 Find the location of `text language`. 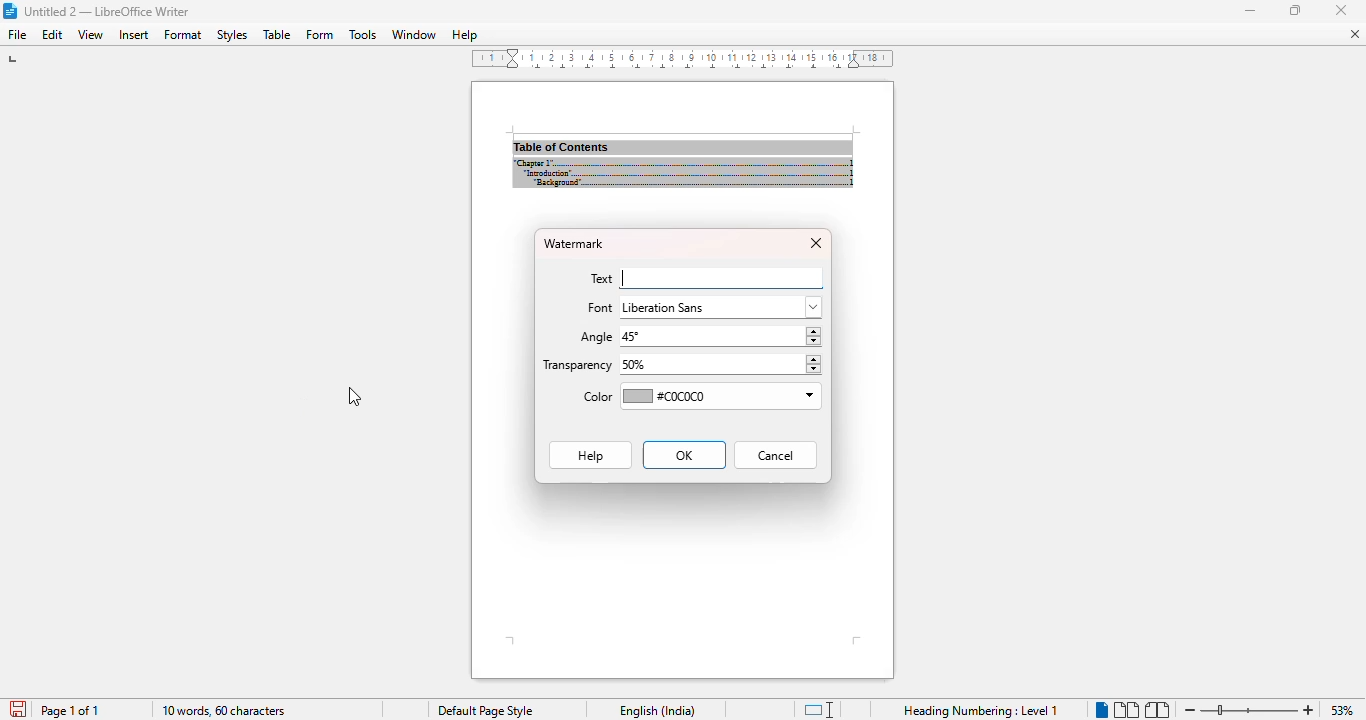

text language is located at coordinates (659, 710).